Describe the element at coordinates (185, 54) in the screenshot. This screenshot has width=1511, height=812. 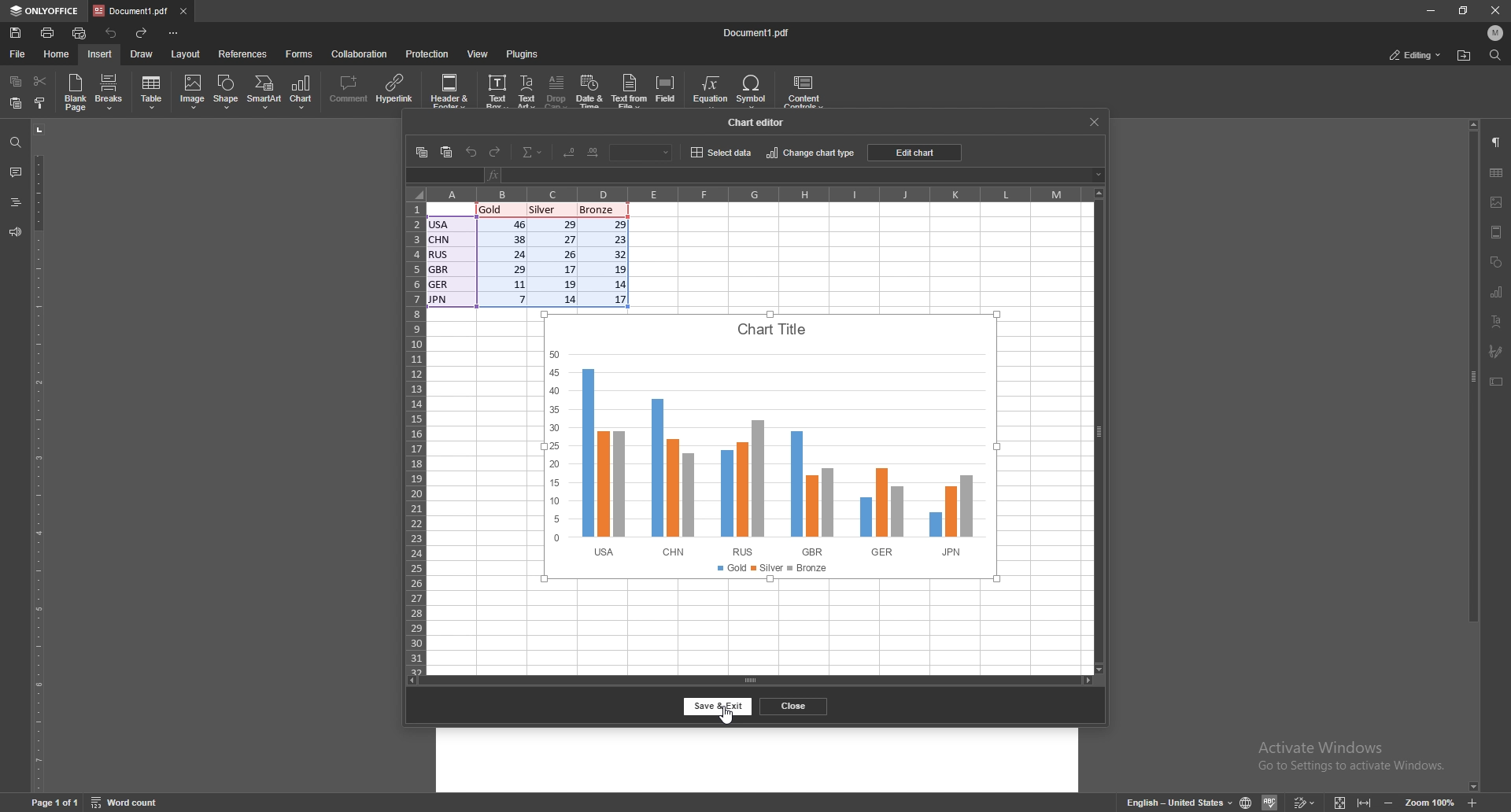
I see `layout` at that location.